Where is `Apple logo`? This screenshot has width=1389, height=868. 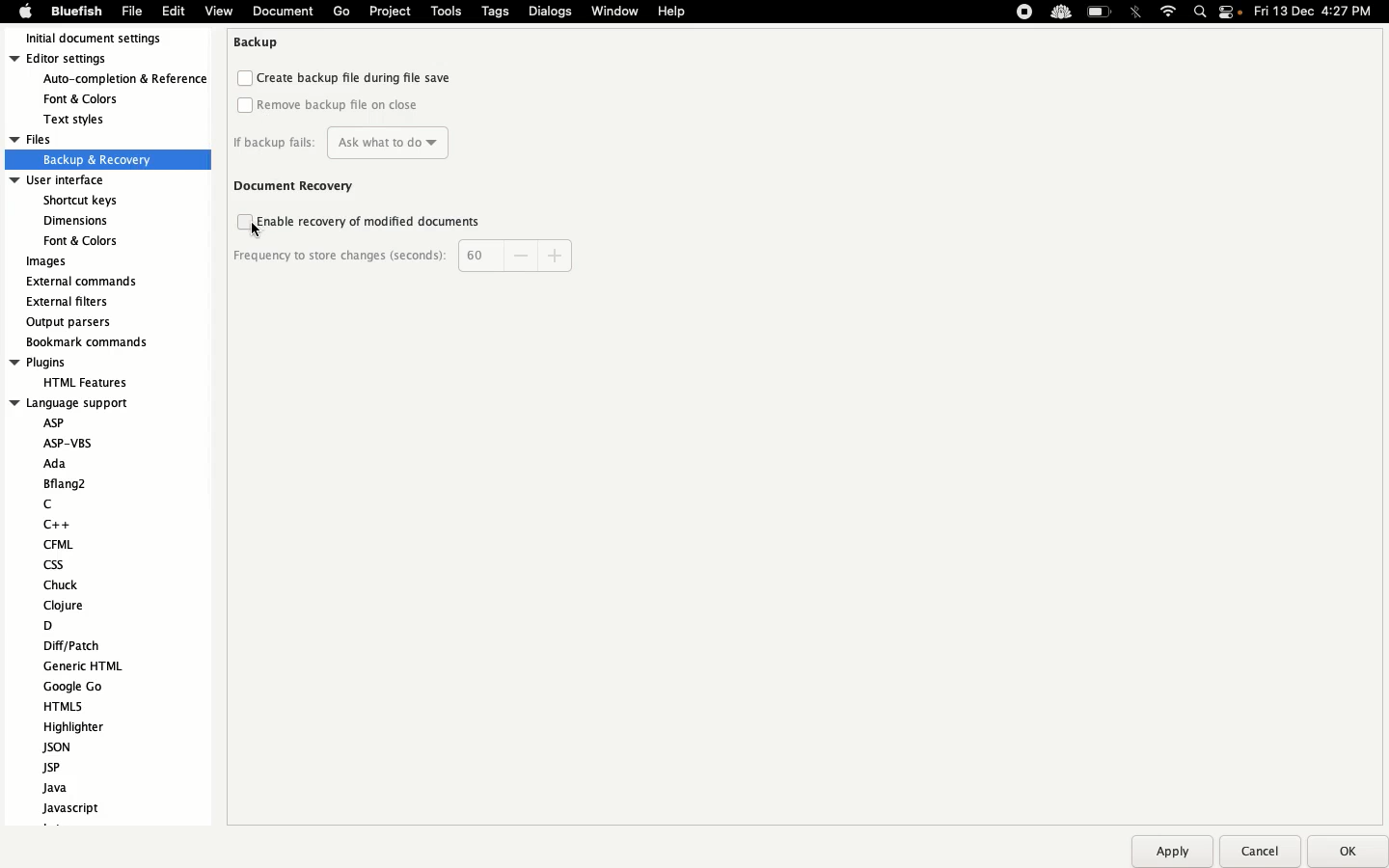 Apple logo is located at coordinates (21, 13).